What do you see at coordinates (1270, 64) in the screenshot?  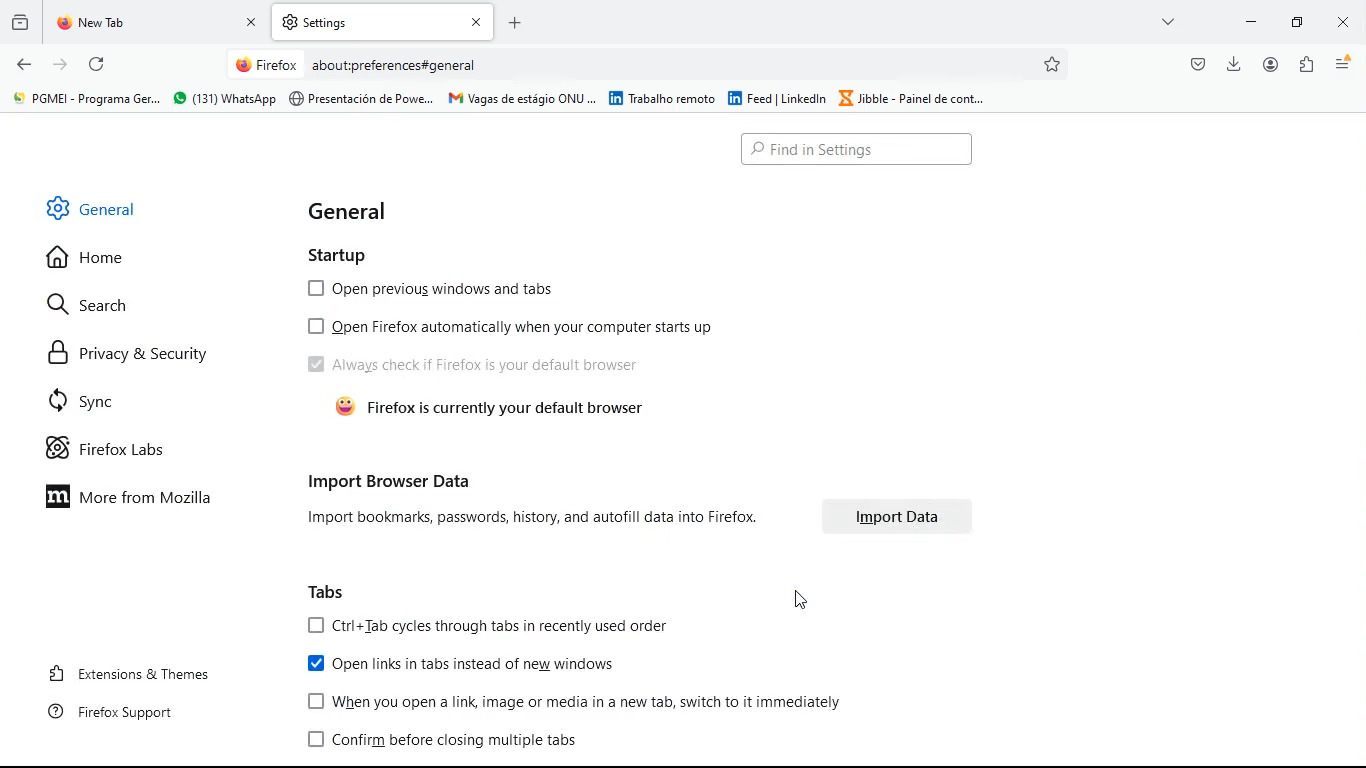 I see `profile` at bounding box center [1270, 64].